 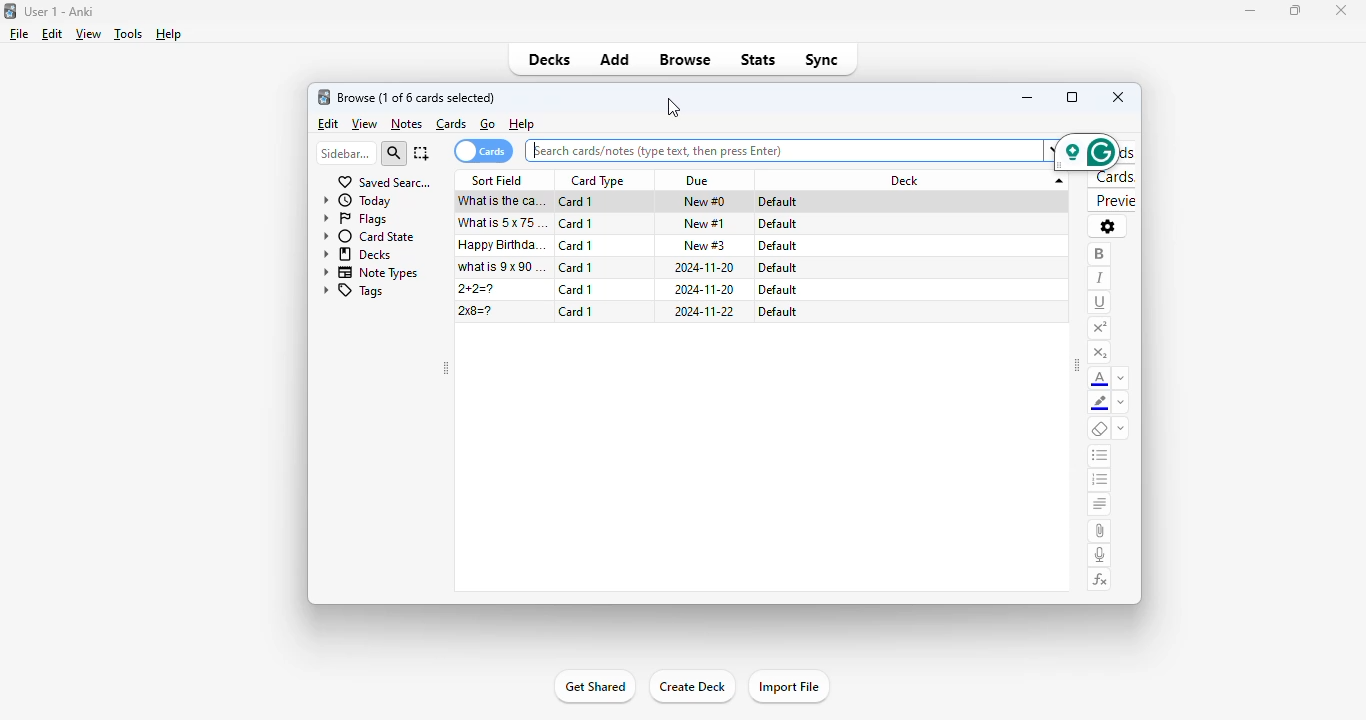 What do you see at coordinates (1100, 429) in the screenshot?
I see `remove formatting` at bounding box center [1100, 429].